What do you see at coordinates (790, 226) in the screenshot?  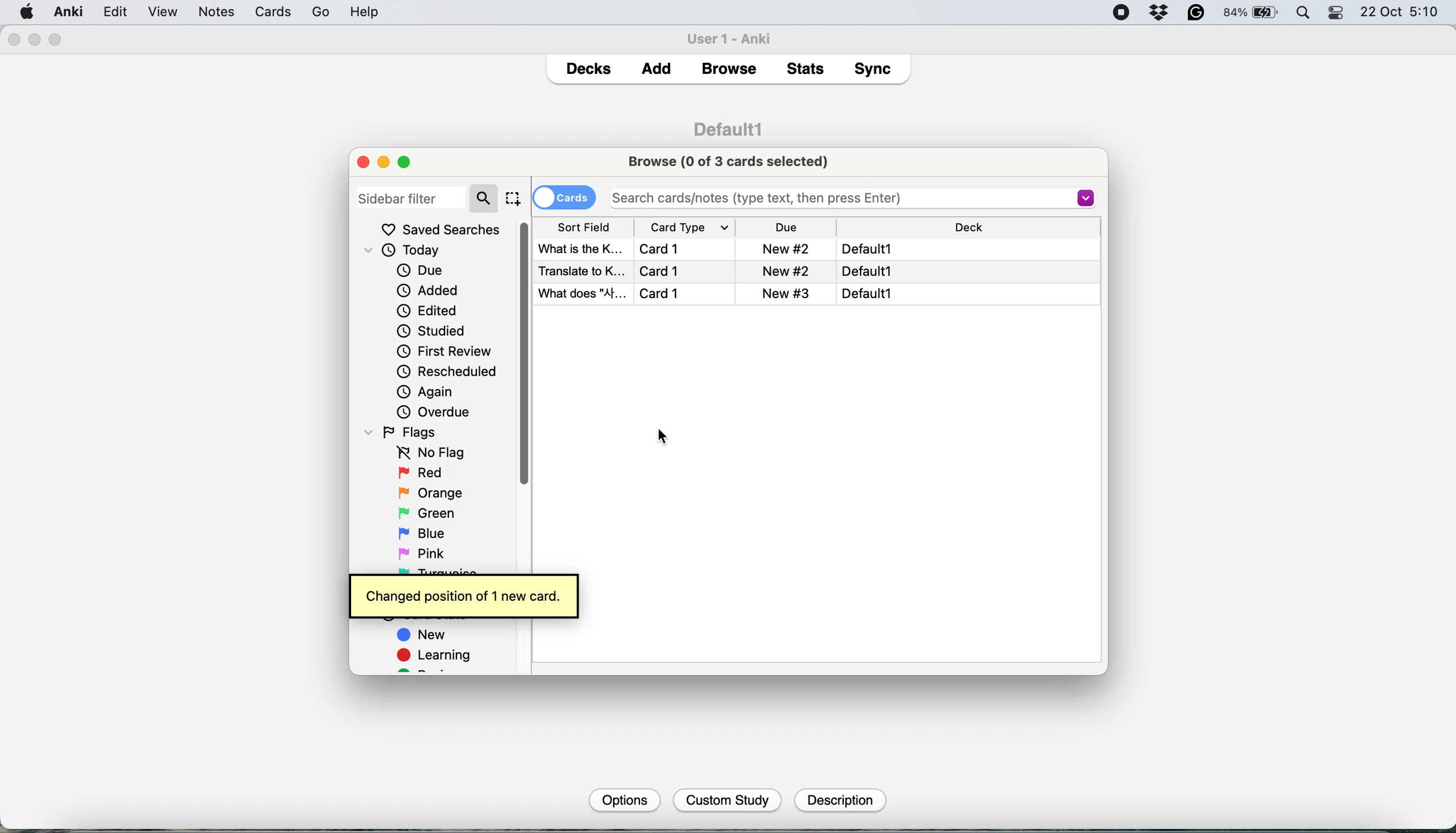 I see `Due` at bounding box center [790, 226].